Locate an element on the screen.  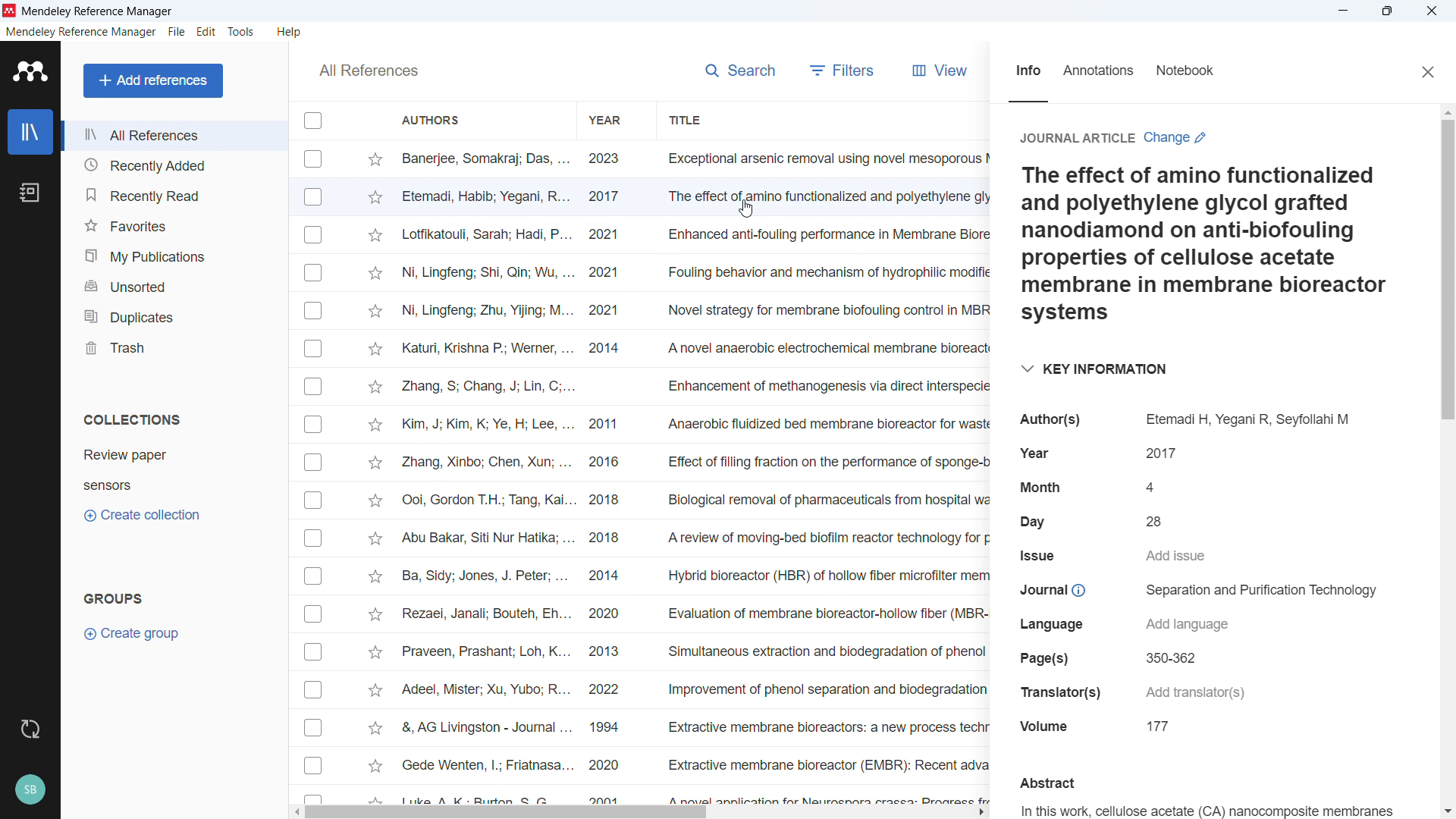
Close  is located at coordinates (1431, 11).